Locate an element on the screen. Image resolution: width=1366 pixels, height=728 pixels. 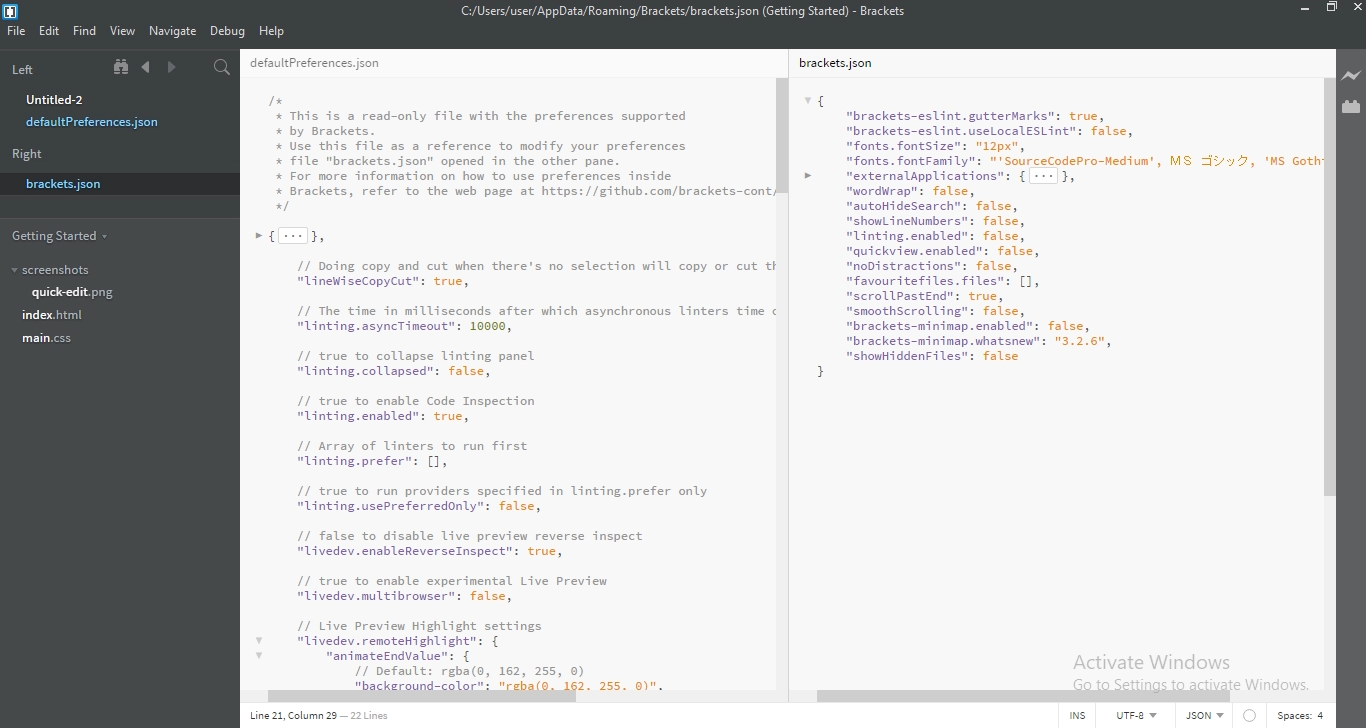
C/Users/user/AppData/Roaming/Brackets/brackets json (Getting Started) - Brackets. is located at coordinates (682, 15).